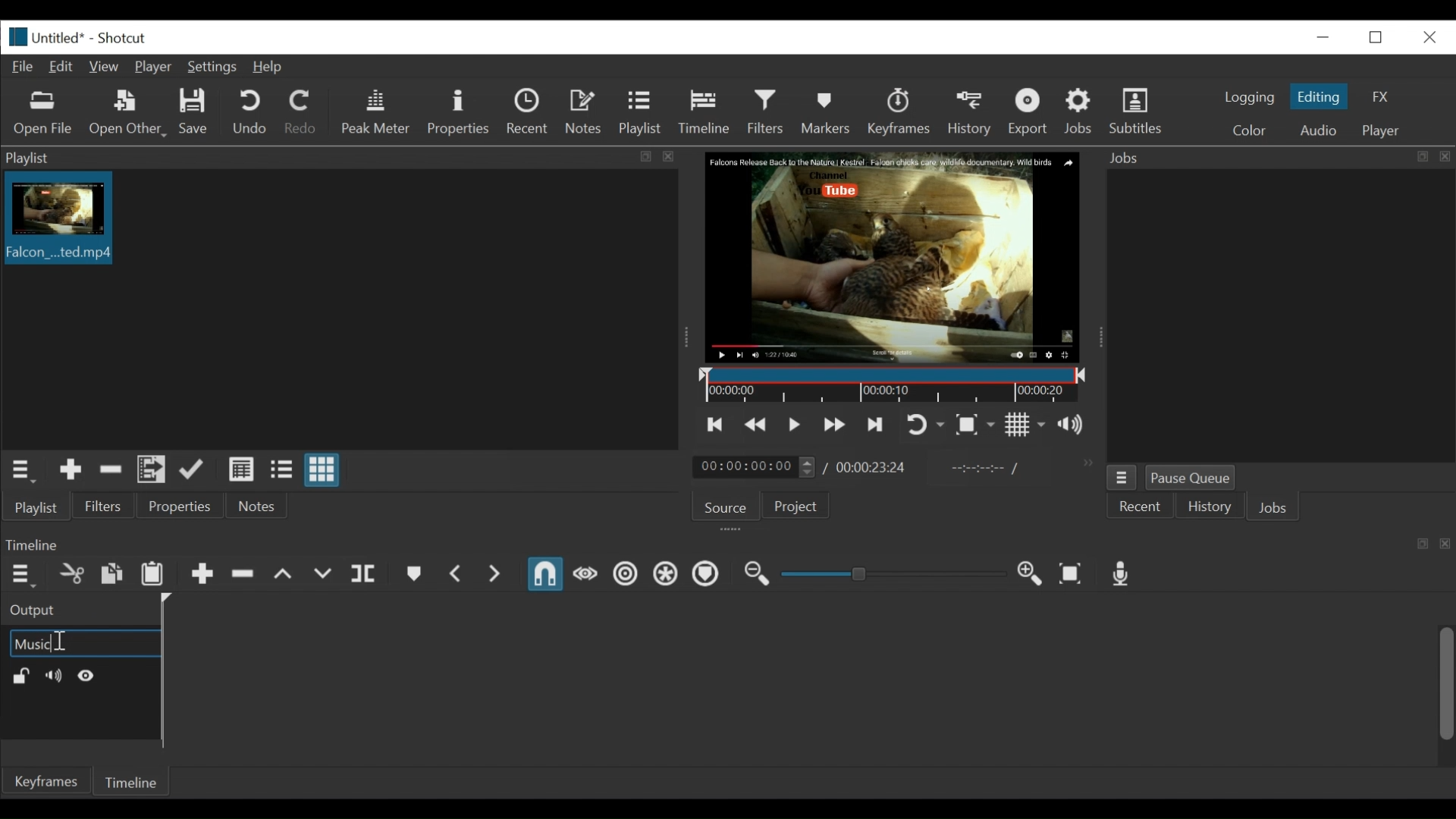 The width and height of the screenshot is (1456, 819). What do you see at coordinates (125, 38) in the screenshot?
I see `Shotxcut` at bounding box center [125, 38].